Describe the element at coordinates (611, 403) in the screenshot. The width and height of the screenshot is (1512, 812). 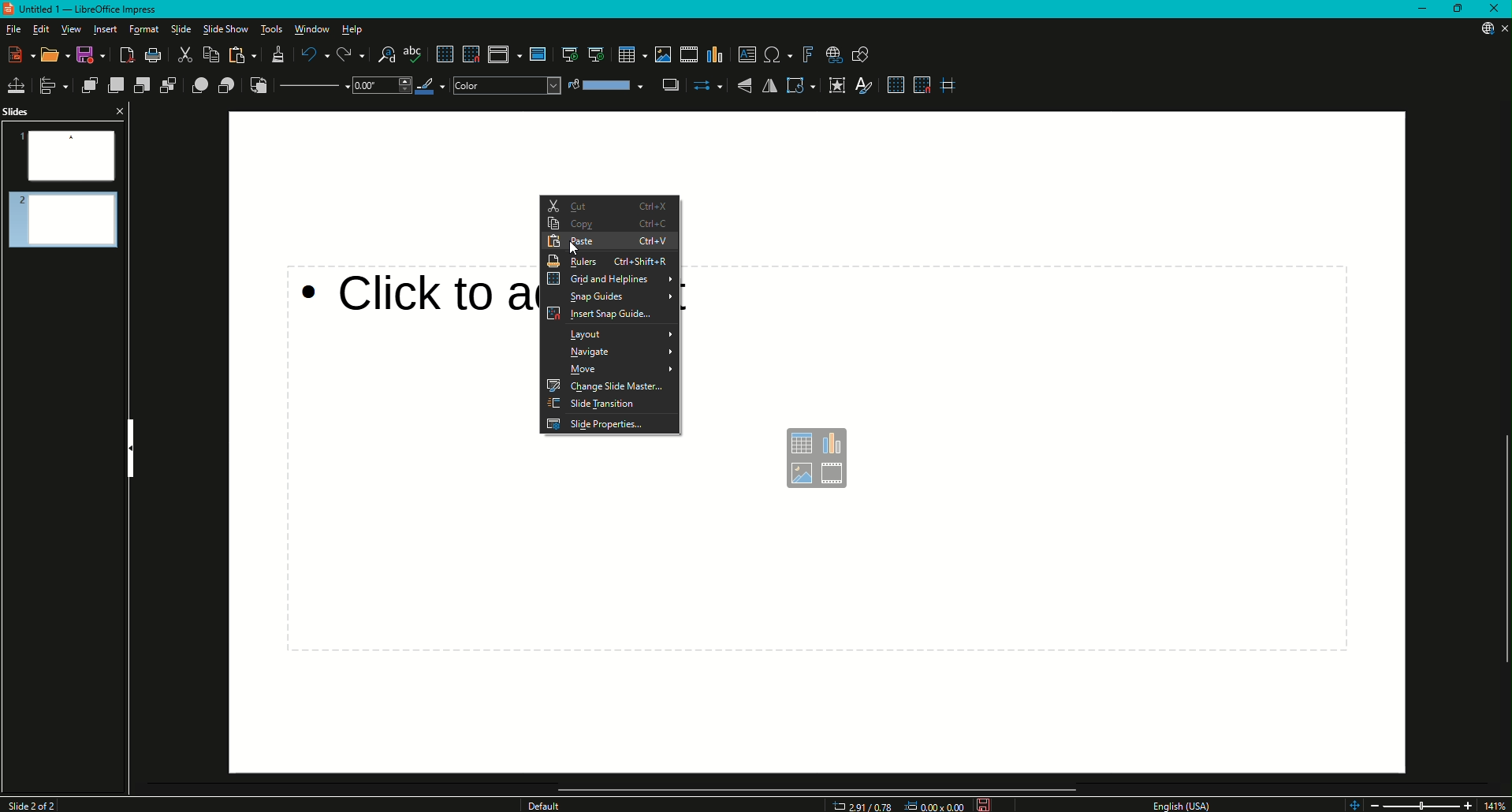
I see `Slide Transition` at that location.